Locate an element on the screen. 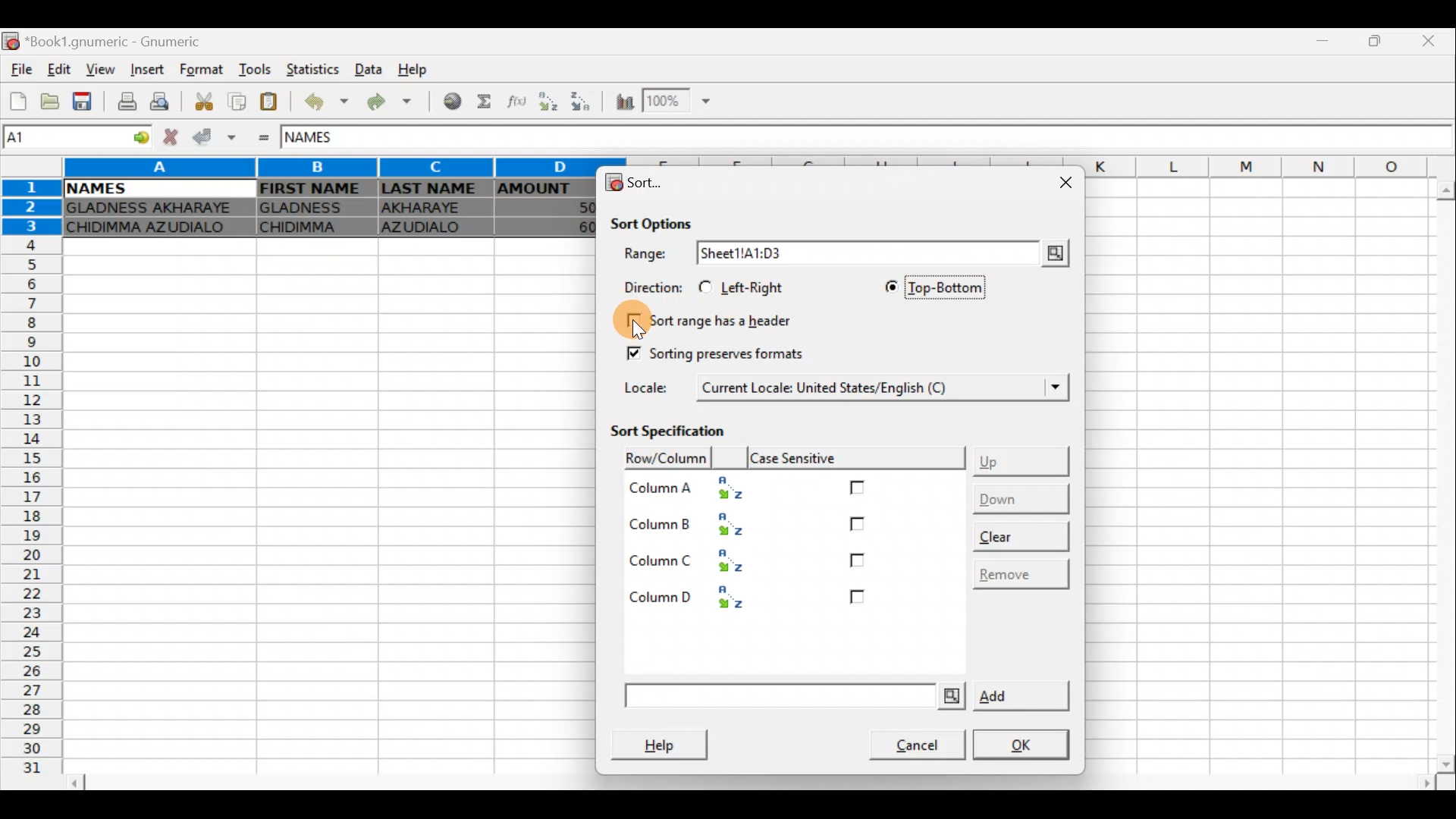  AMOUNT is located at coordinates (545, 190).